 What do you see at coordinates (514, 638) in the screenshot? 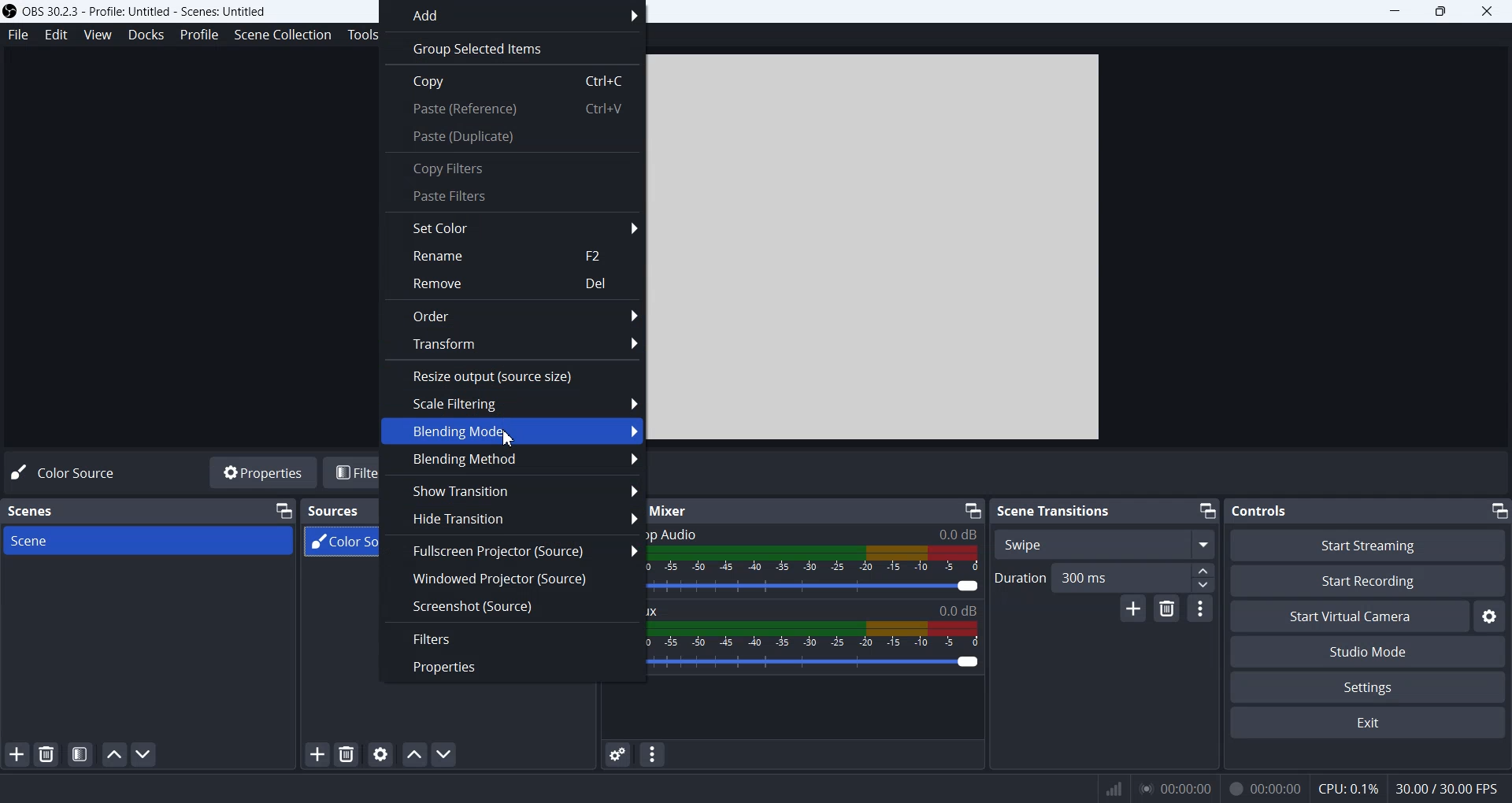
I see `Filters` at bounding box center [514, 638].